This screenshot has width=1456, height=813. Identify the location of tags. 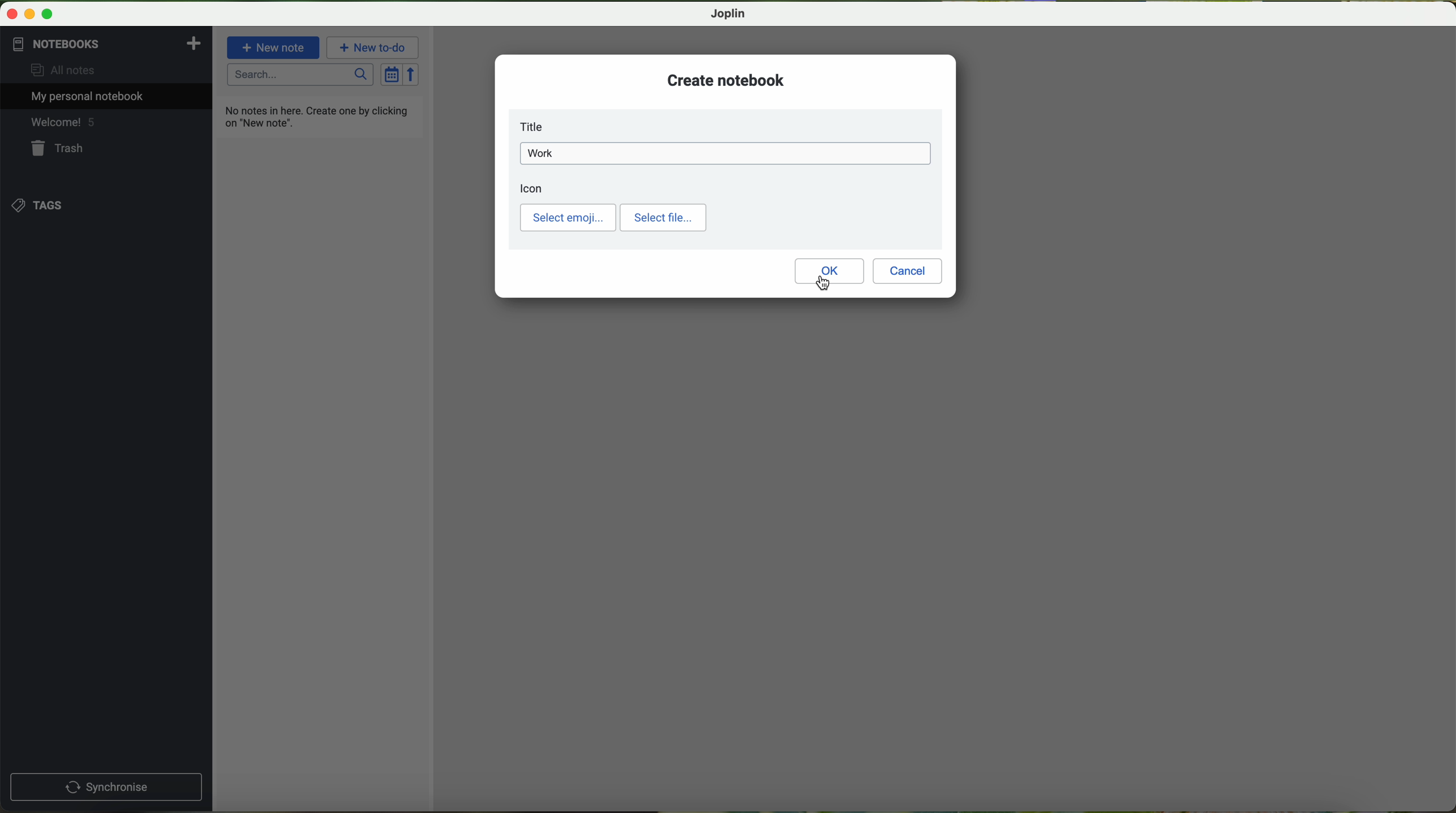
(36, 204).